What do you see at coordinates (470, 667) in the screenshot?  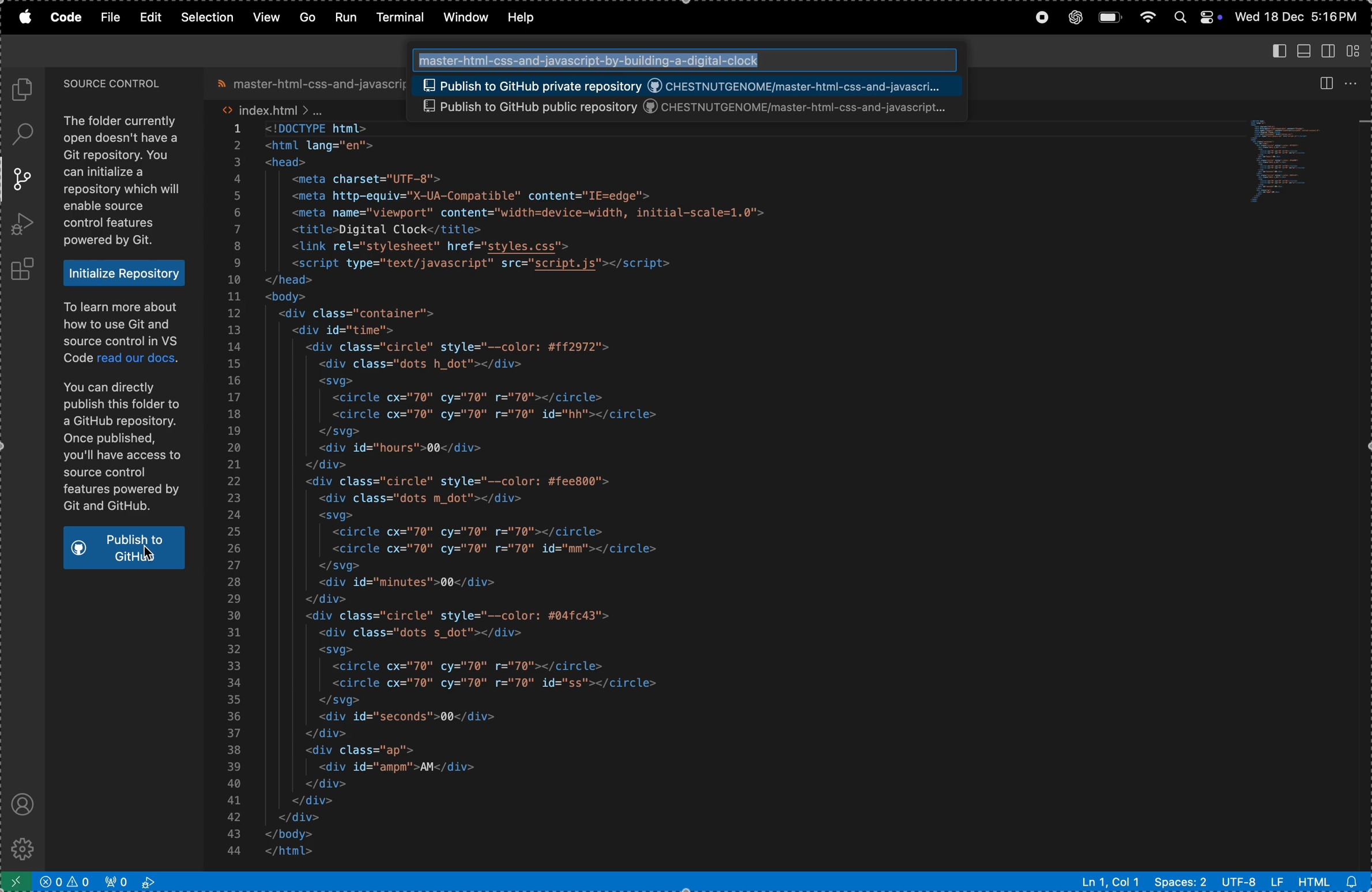 I see `<circle cx="70" cy="70" r="70"></circle>` at bounding box center [470, 667].